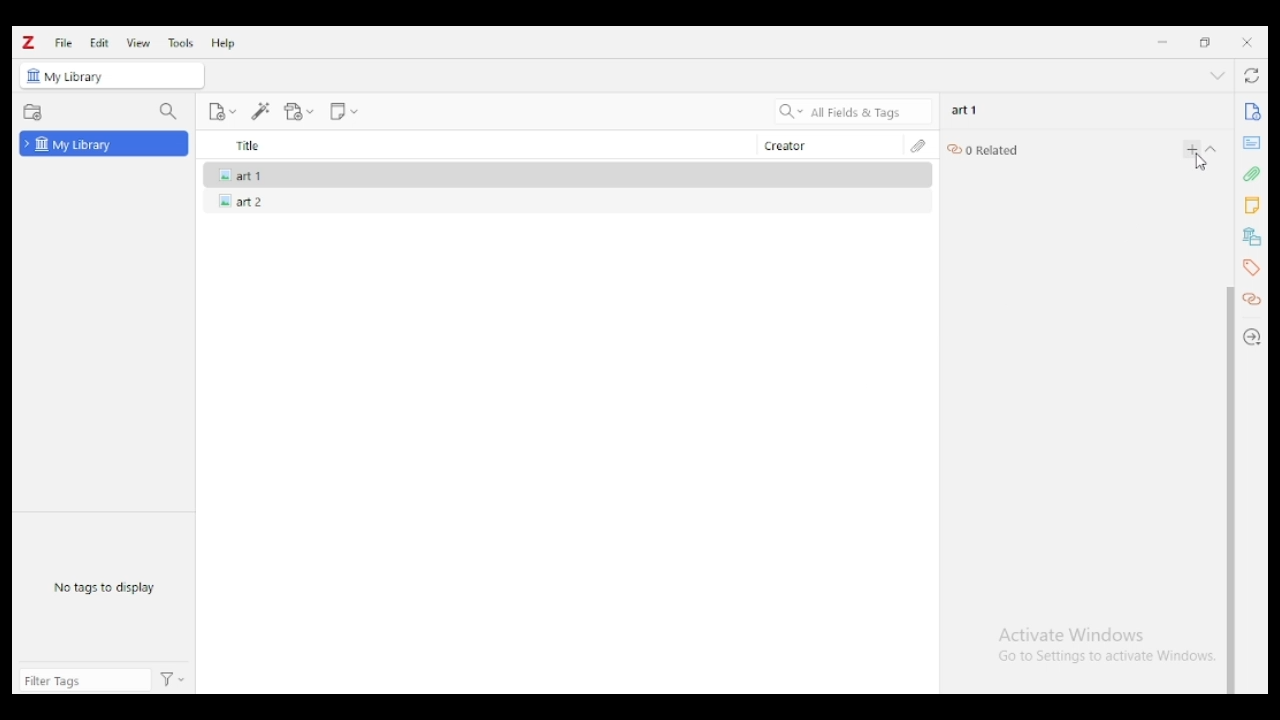 This screenshot has height=720, width=1280. I want to click on add, so click(1192, 149).